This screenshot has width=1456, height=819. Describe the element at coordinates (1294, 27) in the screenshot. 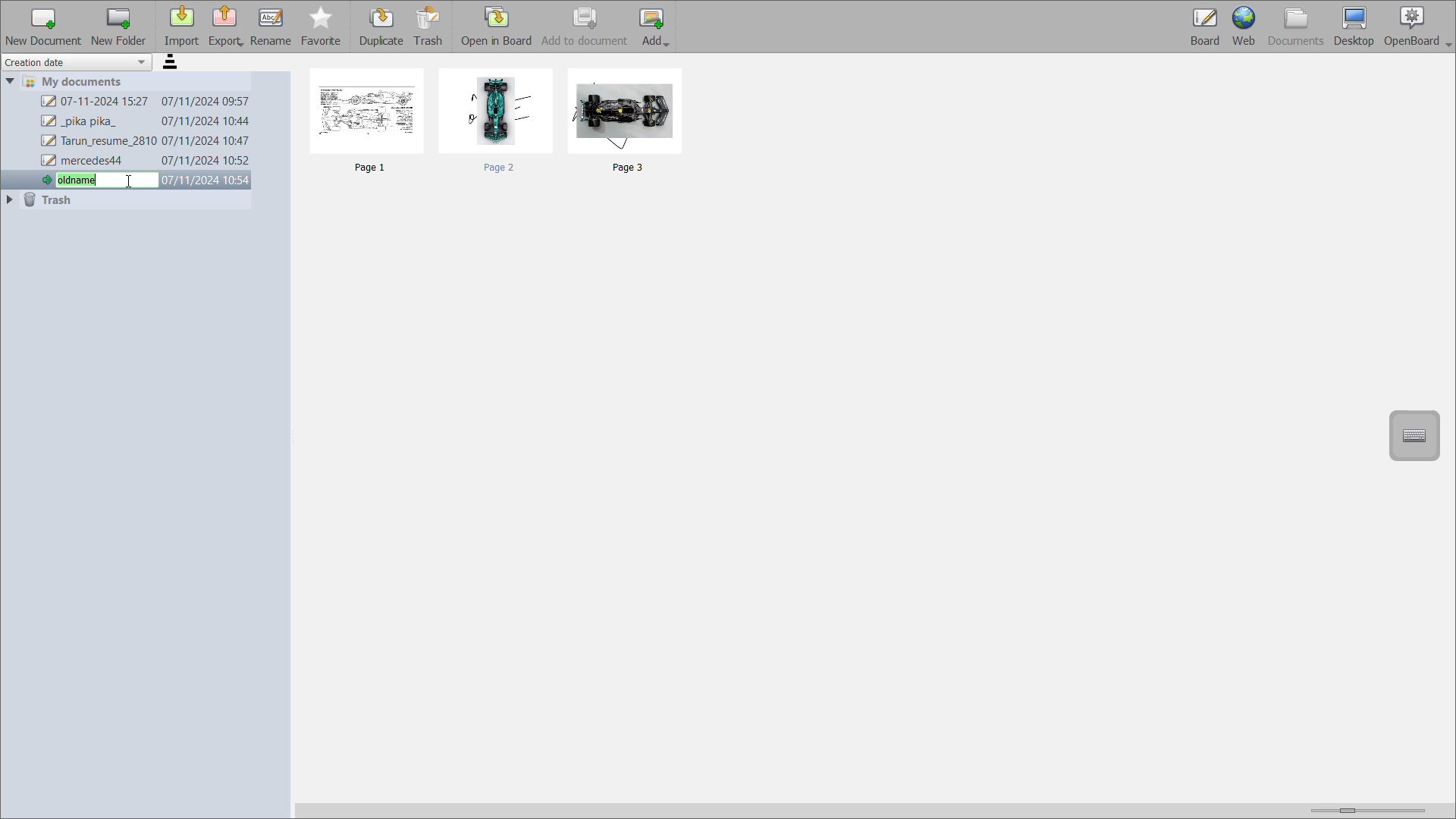

I see `documents` at that location.